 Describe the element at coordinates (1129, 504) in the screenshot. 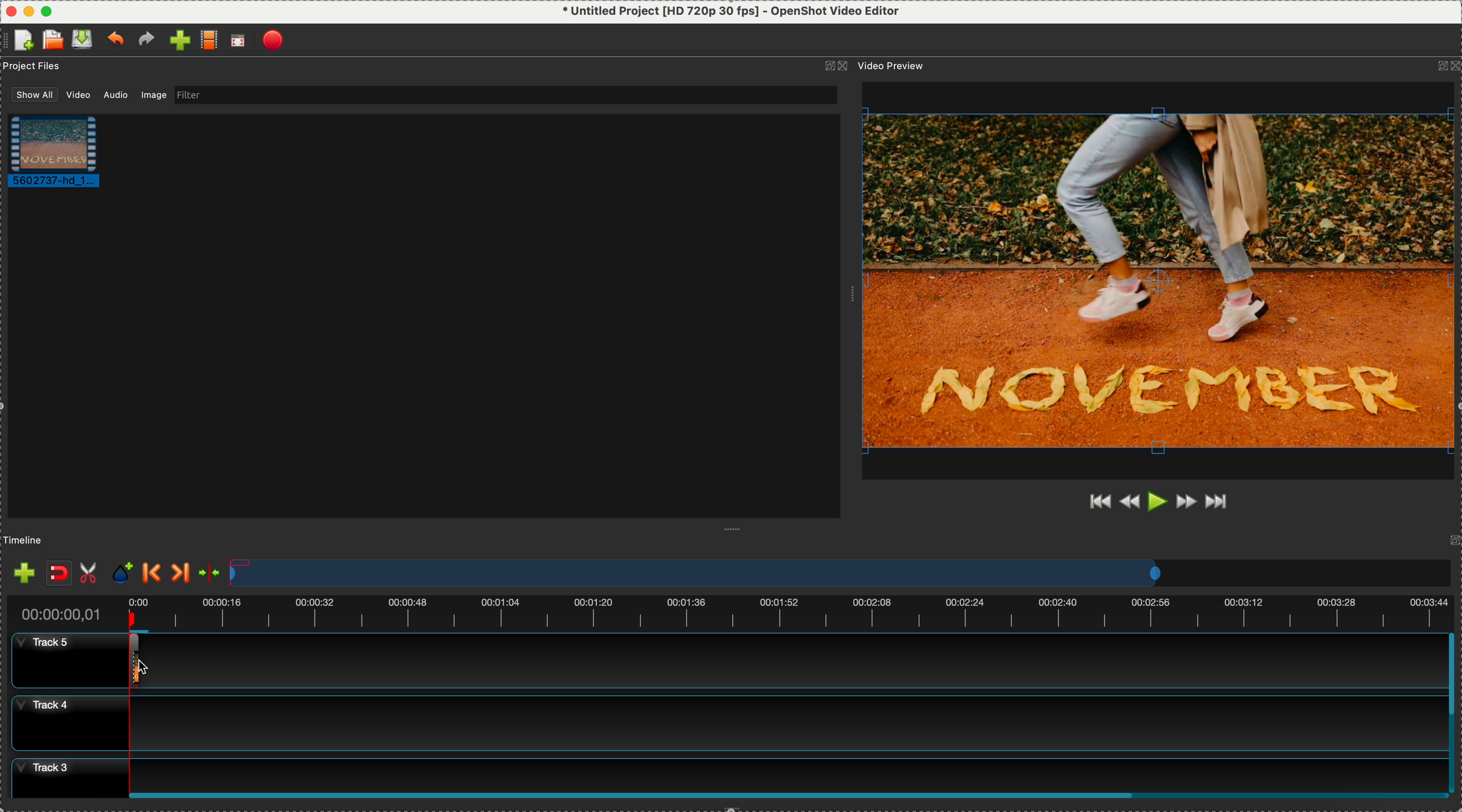

I see `rewind` at that location.